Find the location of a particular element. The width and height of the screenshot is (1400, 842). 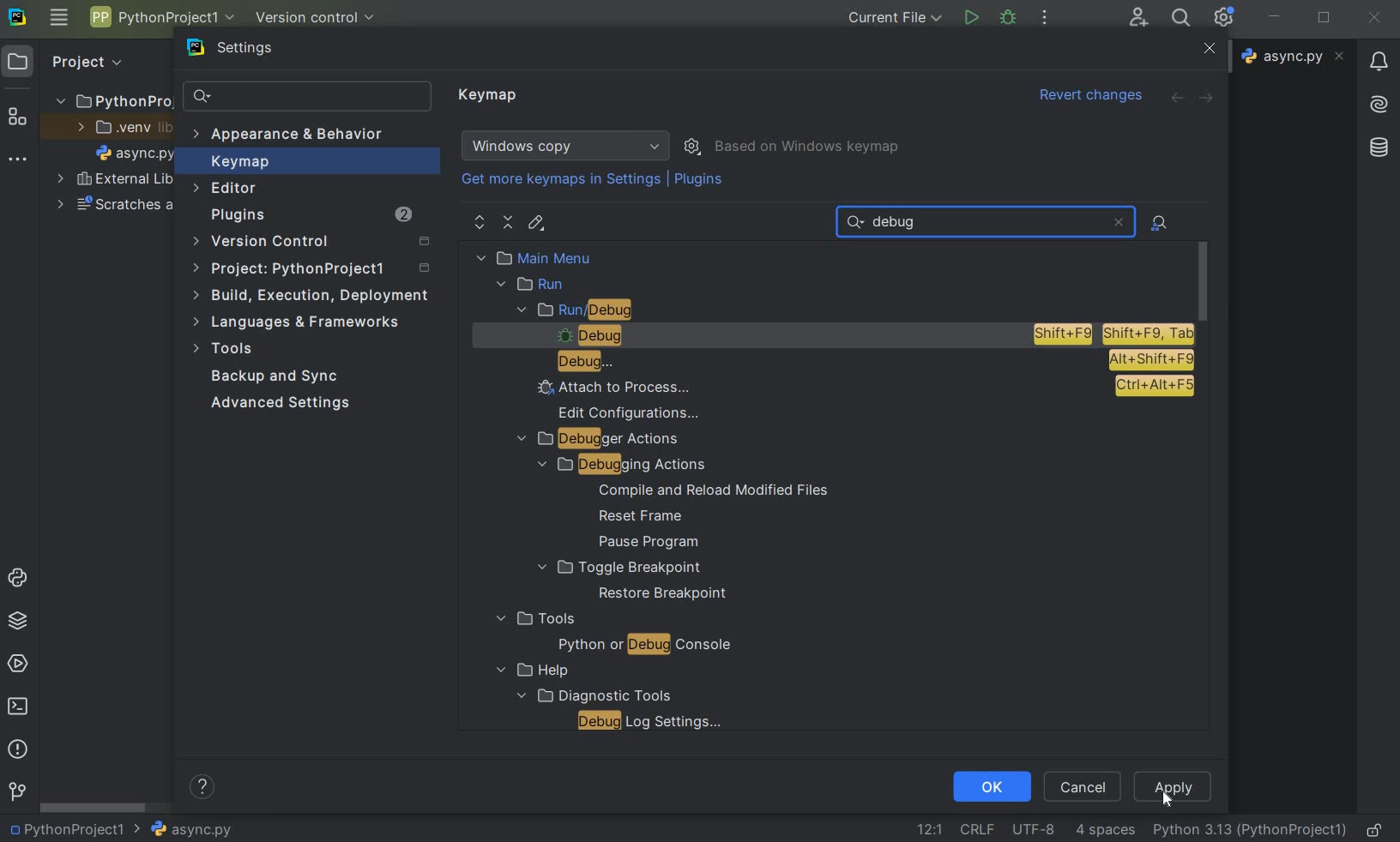

show help contents is located at coordinates (202, 790).